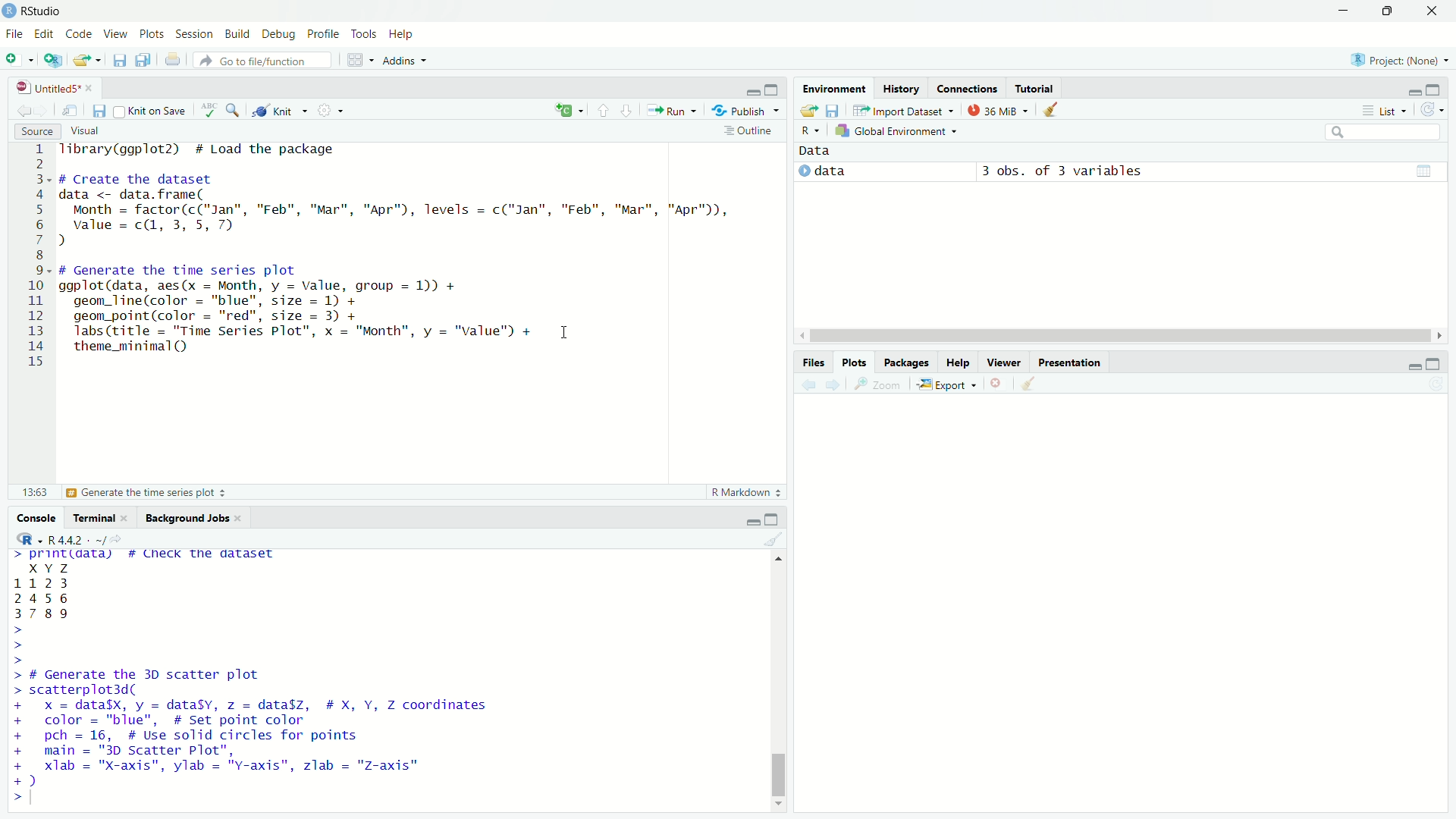 The width and height of the screenshot is (1456, 819). Describe the element at coordinates (853, 364) in the screenshot. I see `Plots` at that location.